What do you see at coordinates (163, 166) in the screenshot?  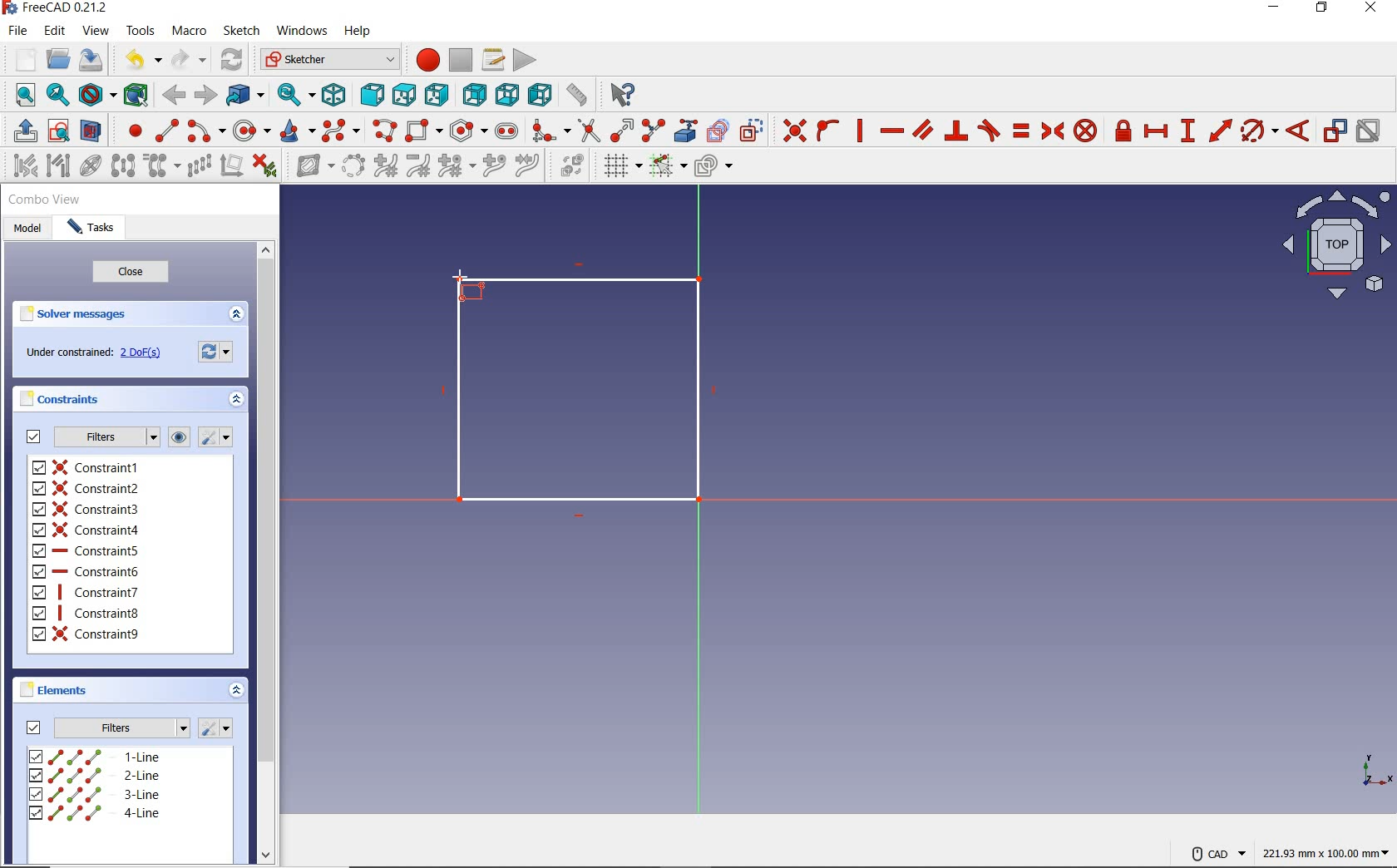 I see `clone` at bounding box center [163, 166].